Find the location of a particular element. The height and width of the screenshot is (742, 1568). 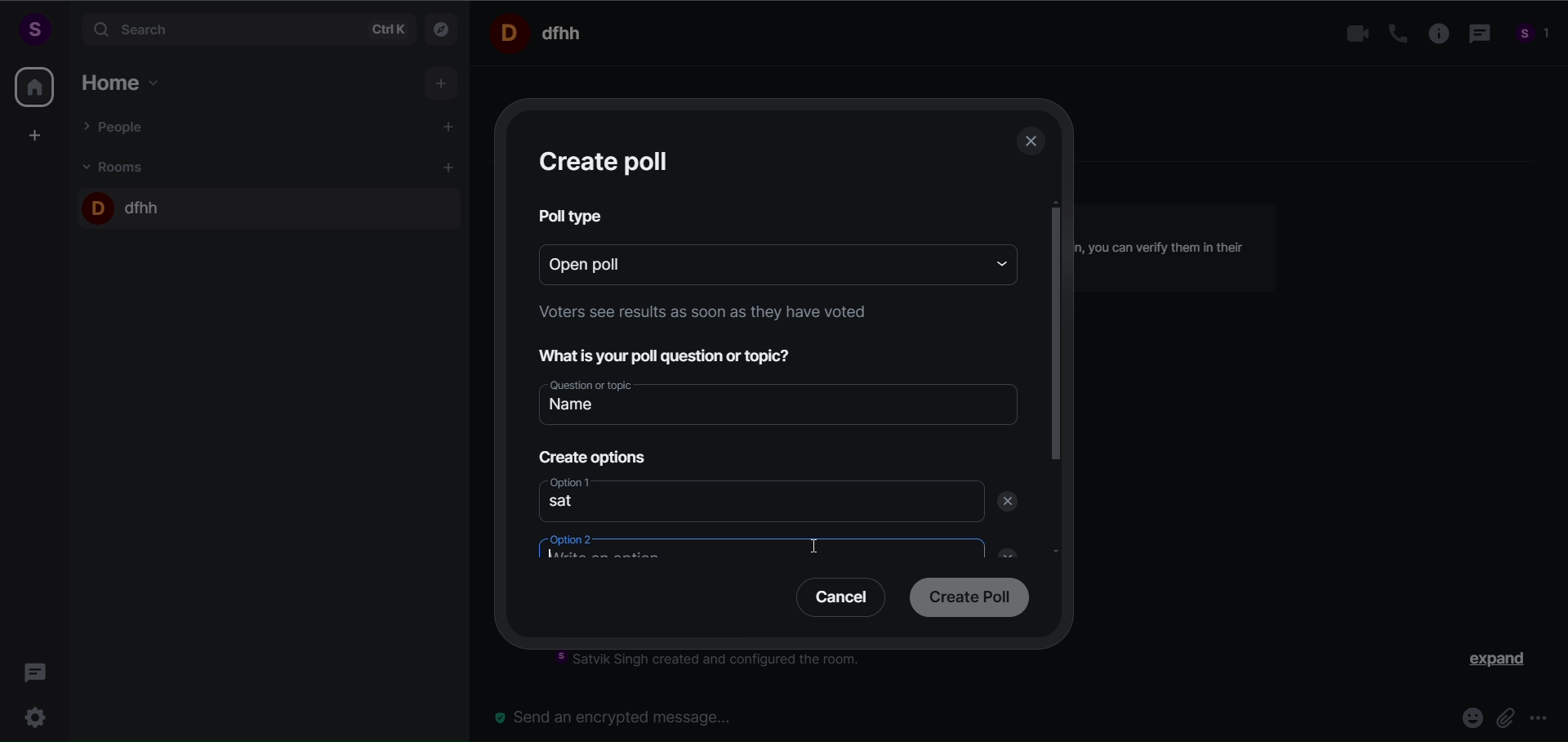

close is located at coordinates (1002, 551).